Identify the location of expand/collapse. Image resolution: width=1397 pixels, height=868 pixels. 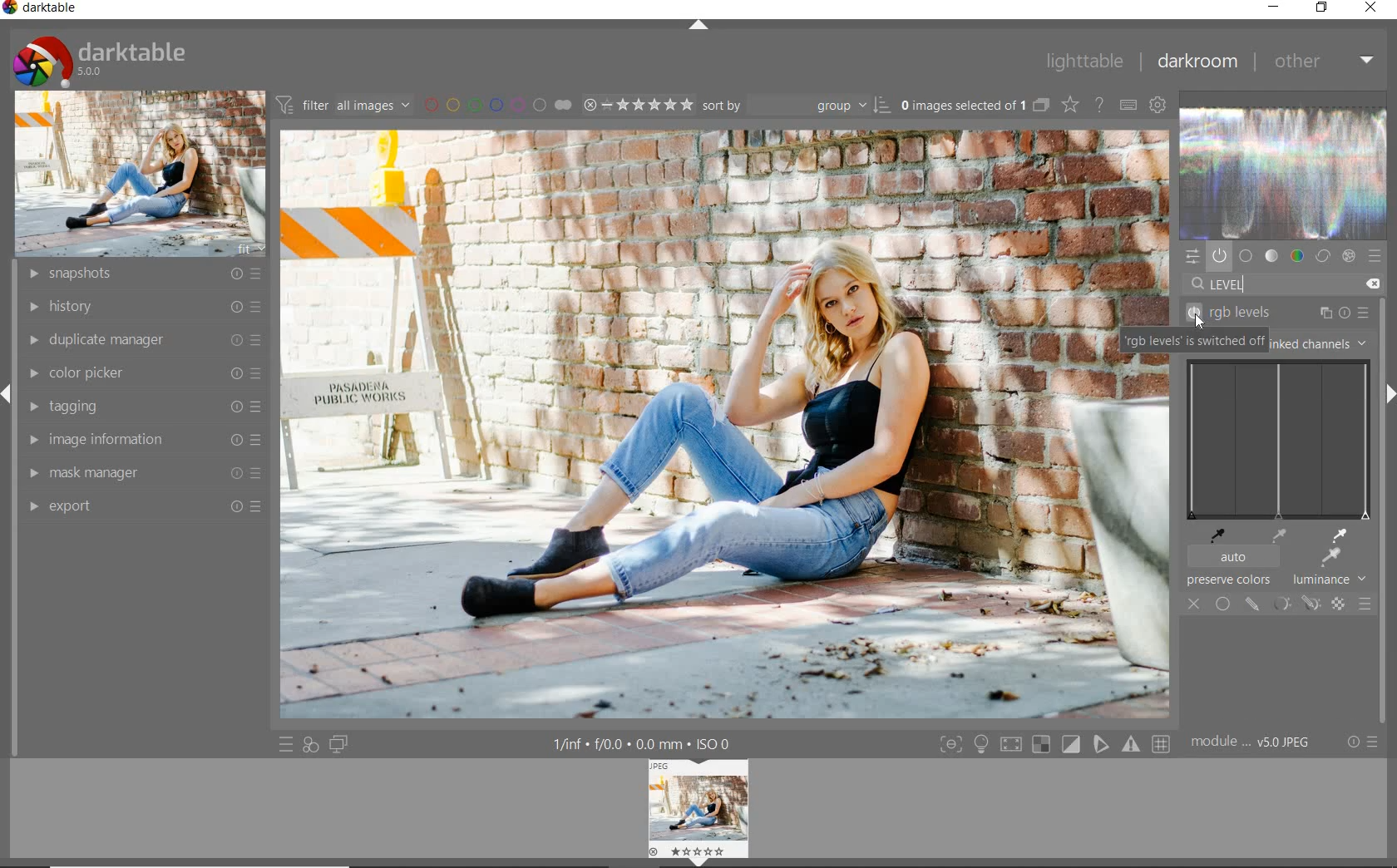
(702, 28).